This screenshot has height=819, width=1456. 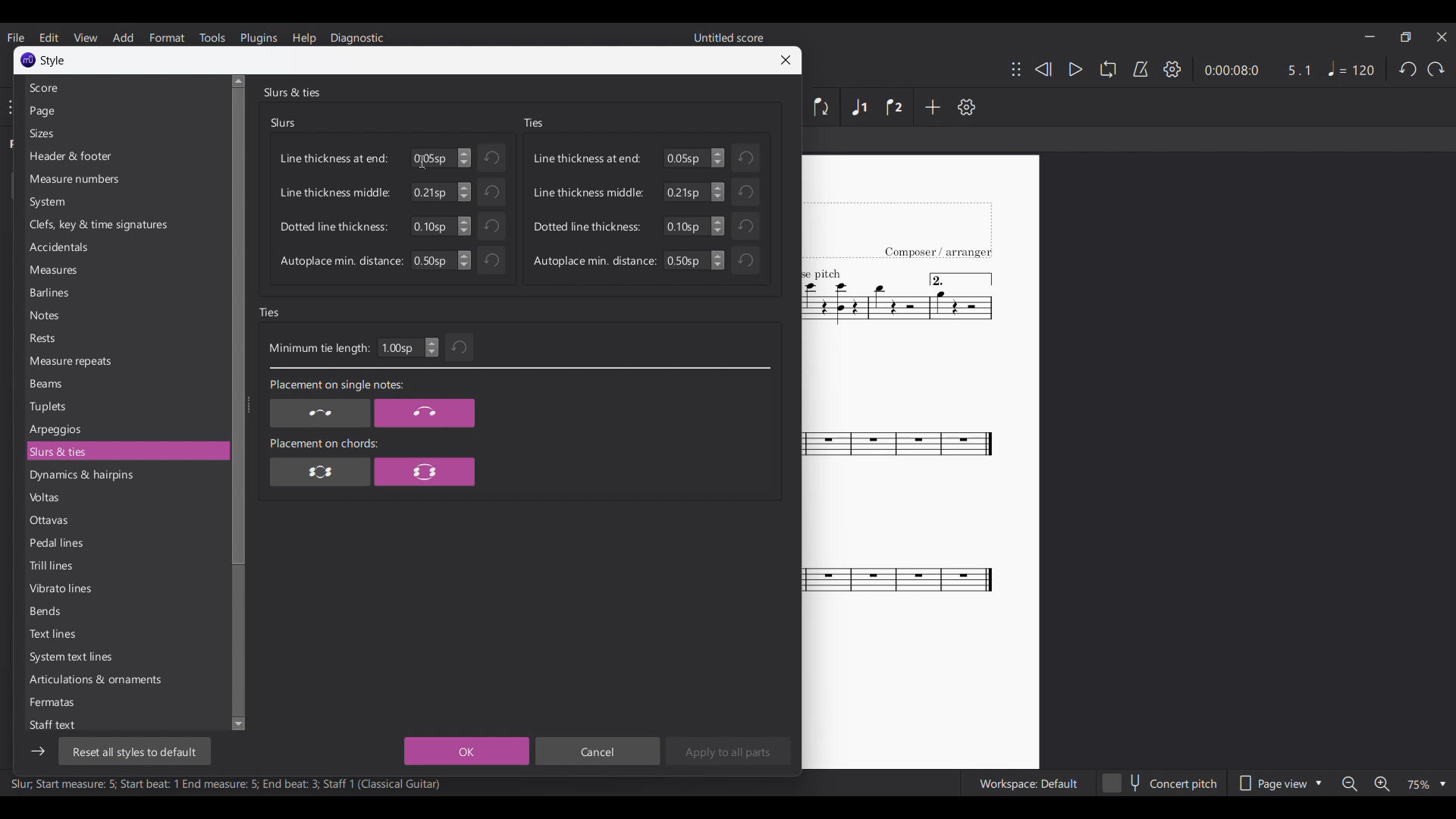 What do you see at coordinates (728, 751) in the screenshot?
I see `Apply to all parts` at bounding box center [728, 751].